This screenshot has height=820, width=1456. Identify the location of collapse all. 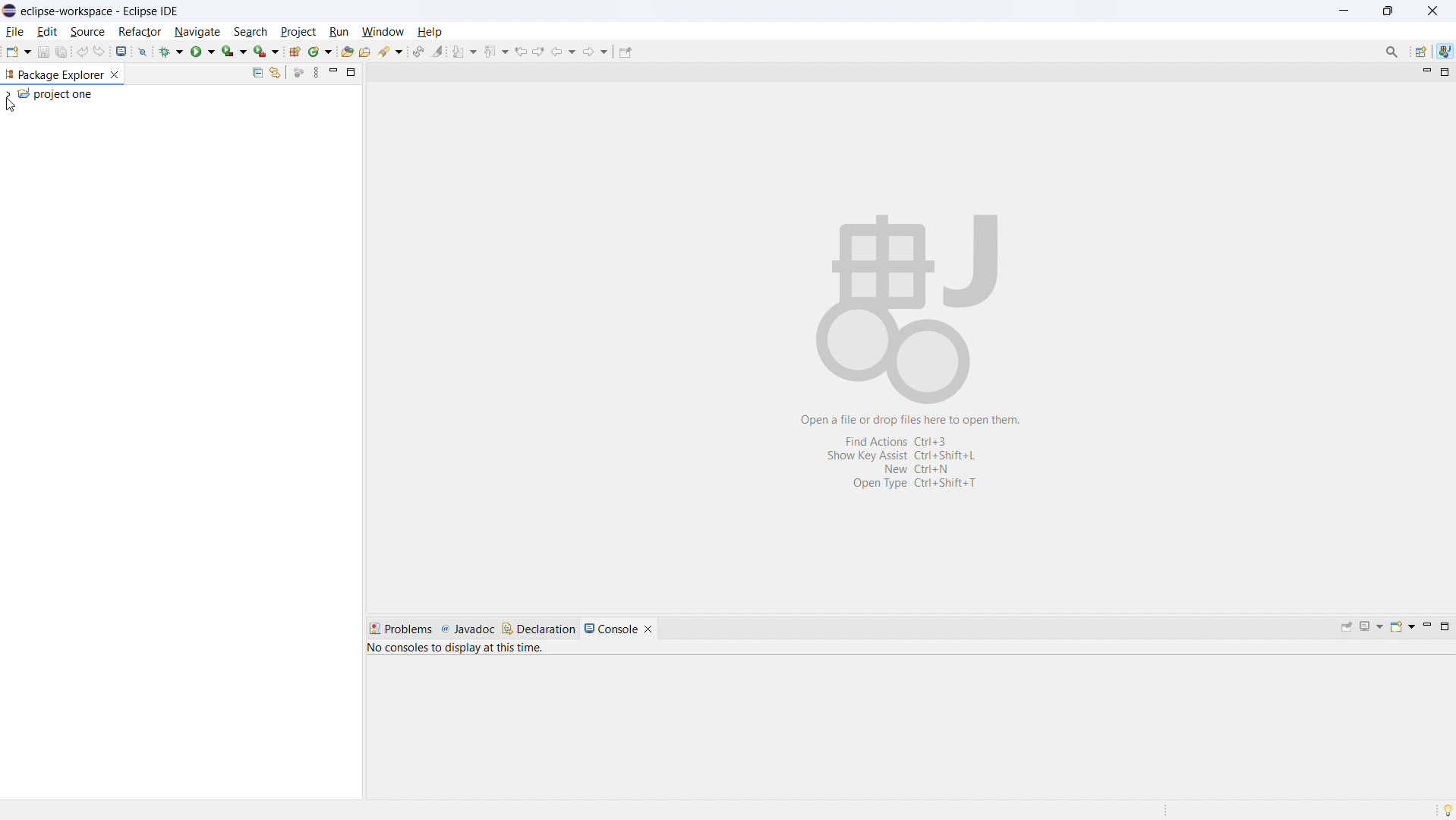
(257, 73).